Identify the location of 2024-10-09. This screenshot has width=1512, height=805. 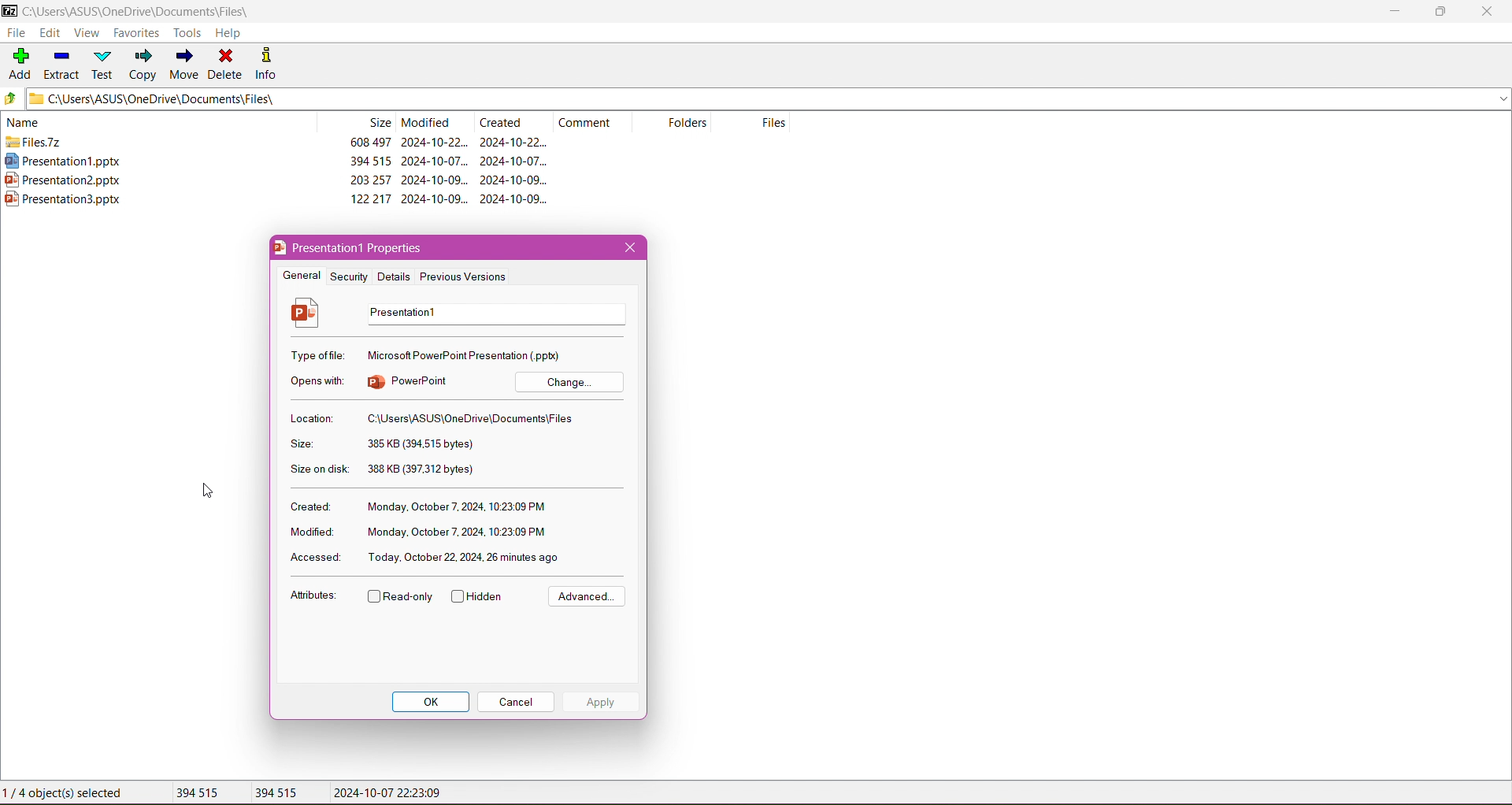
(435, 180).